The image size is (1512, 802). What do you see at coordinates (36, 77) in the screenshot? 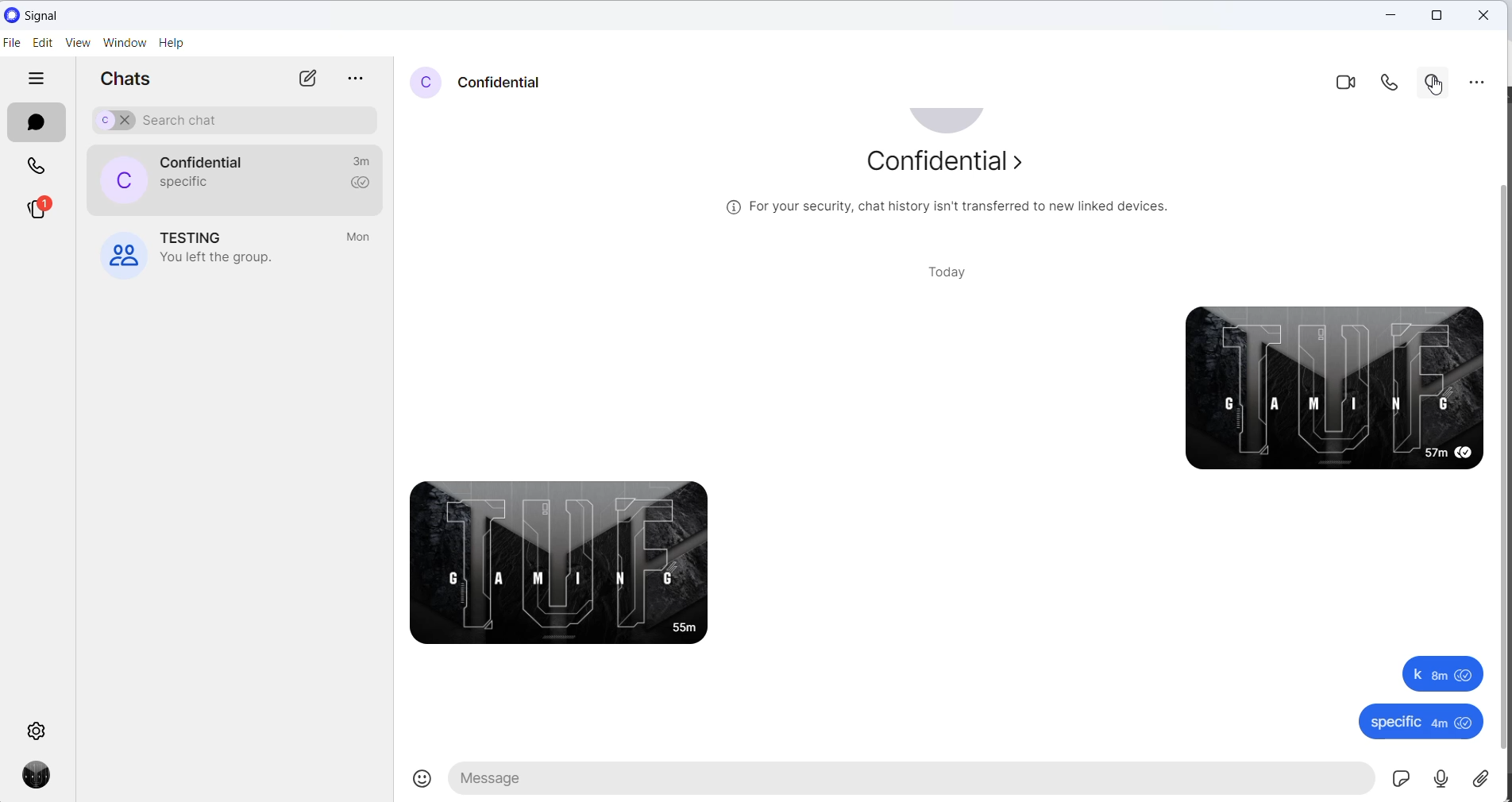
I see `hide tabs` at bounding box center [36, 77].